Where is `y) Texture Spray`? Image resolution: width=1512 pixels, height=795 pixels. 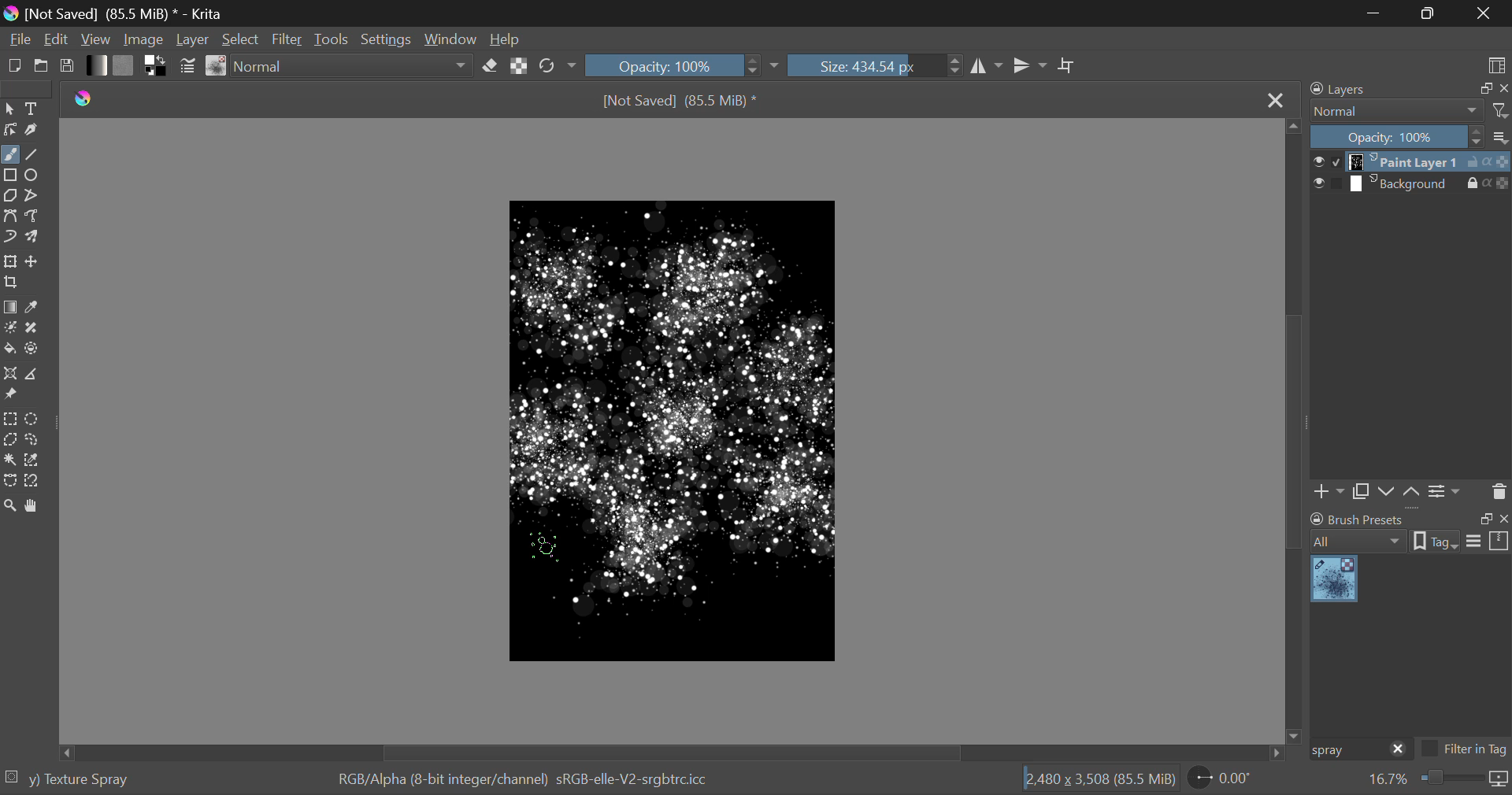
y) Texture Spray is located at coordinates (79, 780).